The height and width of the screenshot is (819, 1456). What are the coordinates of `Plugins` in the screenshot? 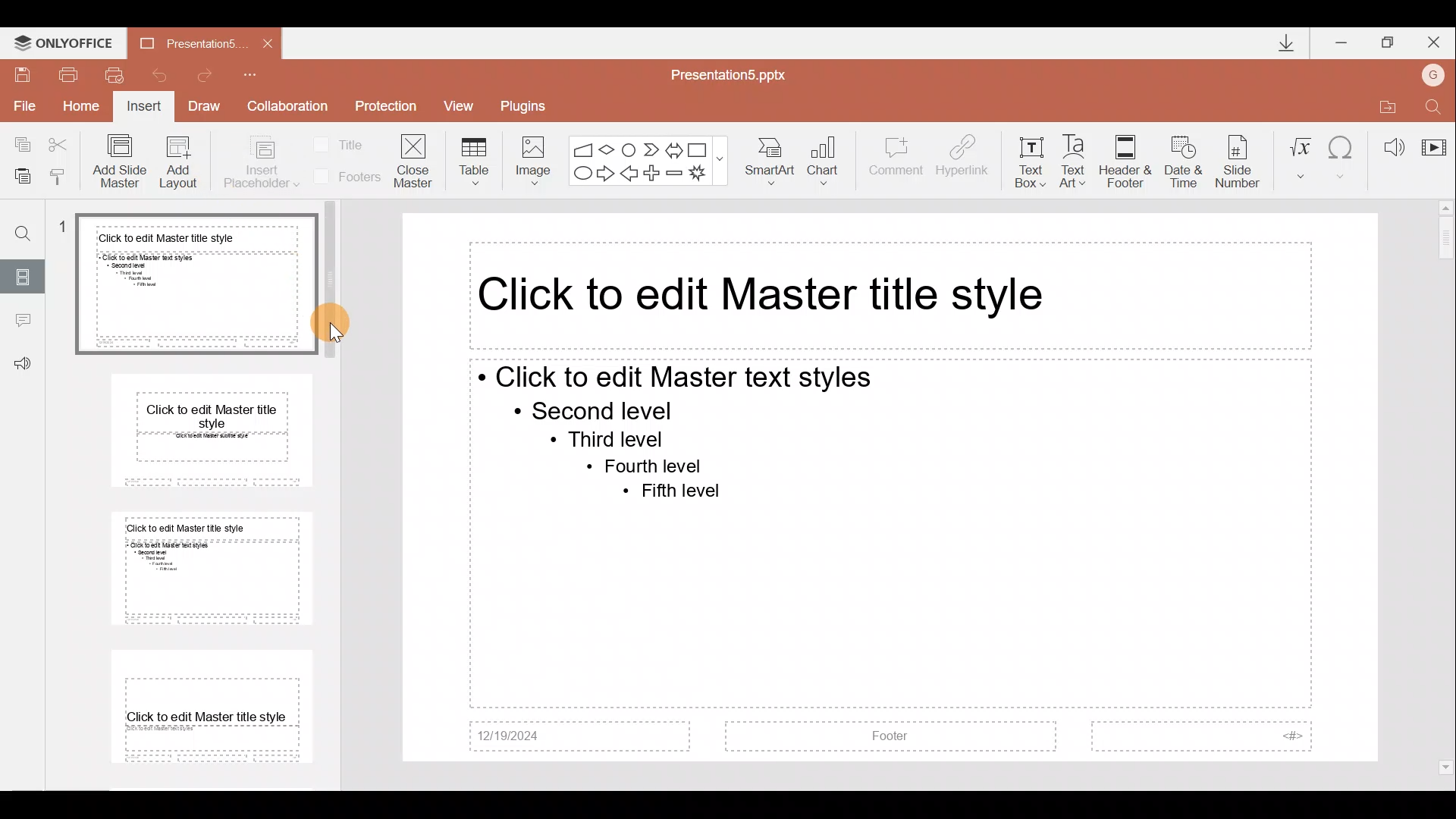 It's located at (529, 104).